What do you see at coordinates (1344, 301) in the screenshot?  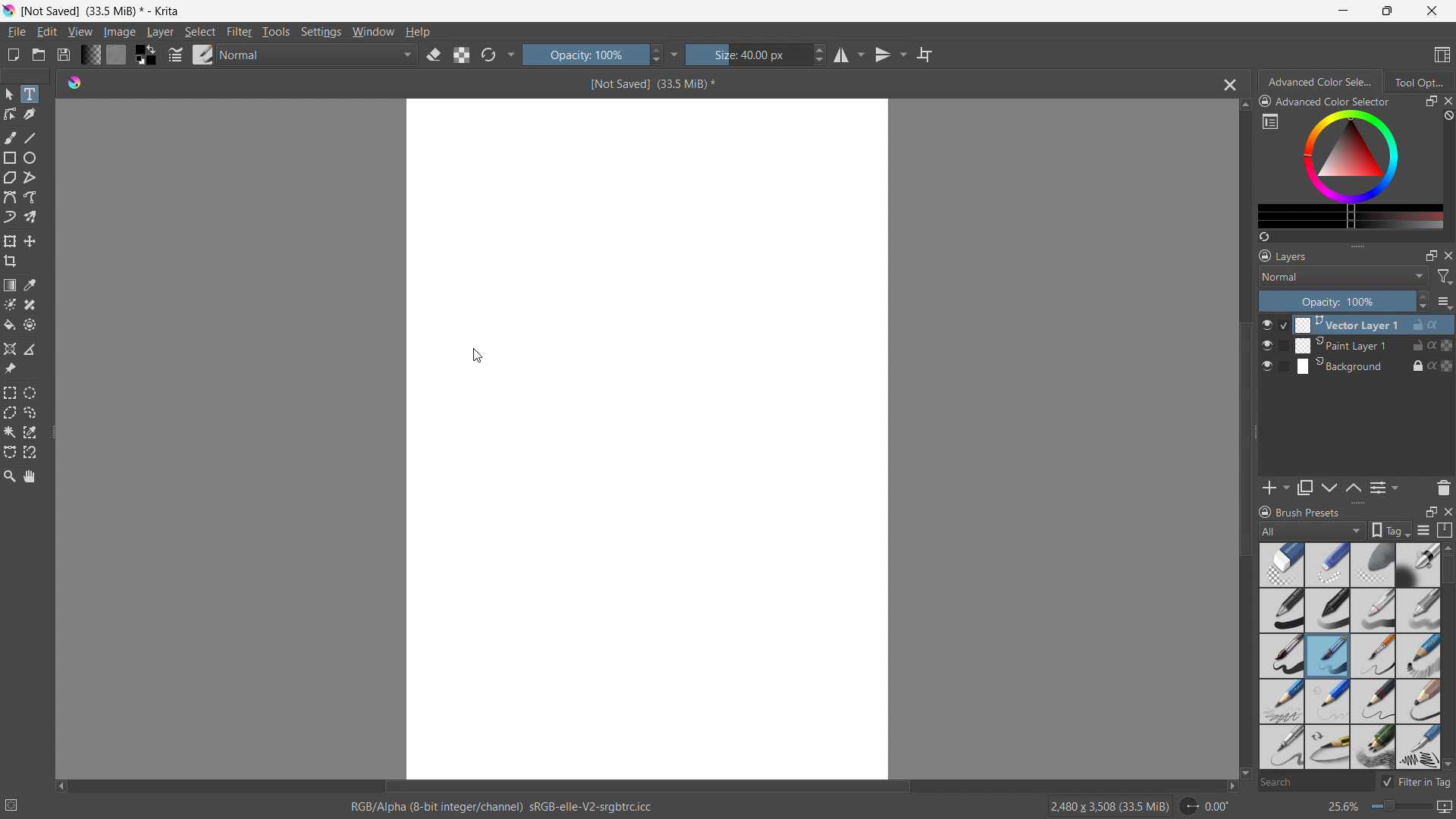 I see `opacity control` at bounding box center [1344, 301].